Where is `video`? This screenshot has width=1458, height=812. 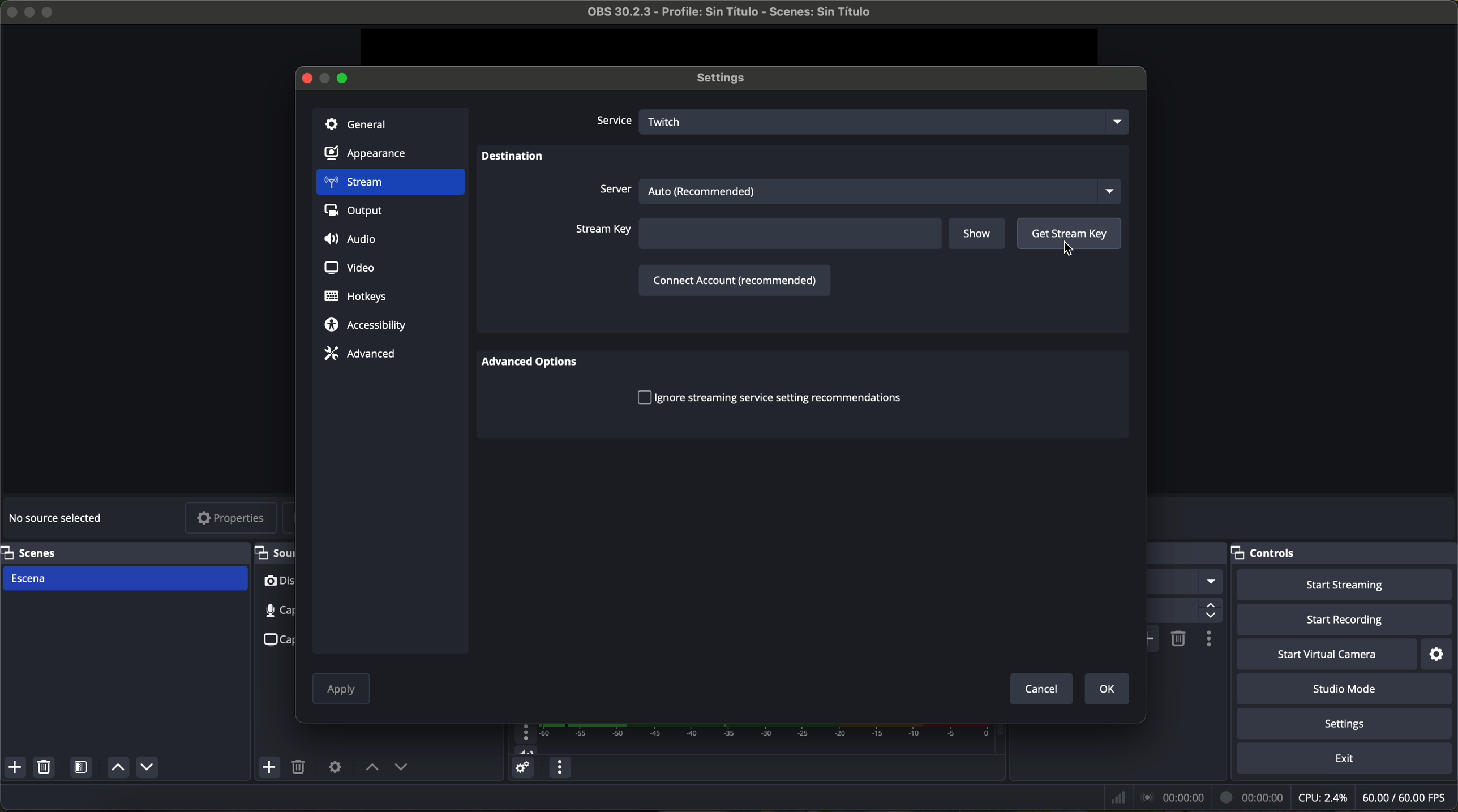 video is located at coordinates (348, 266).